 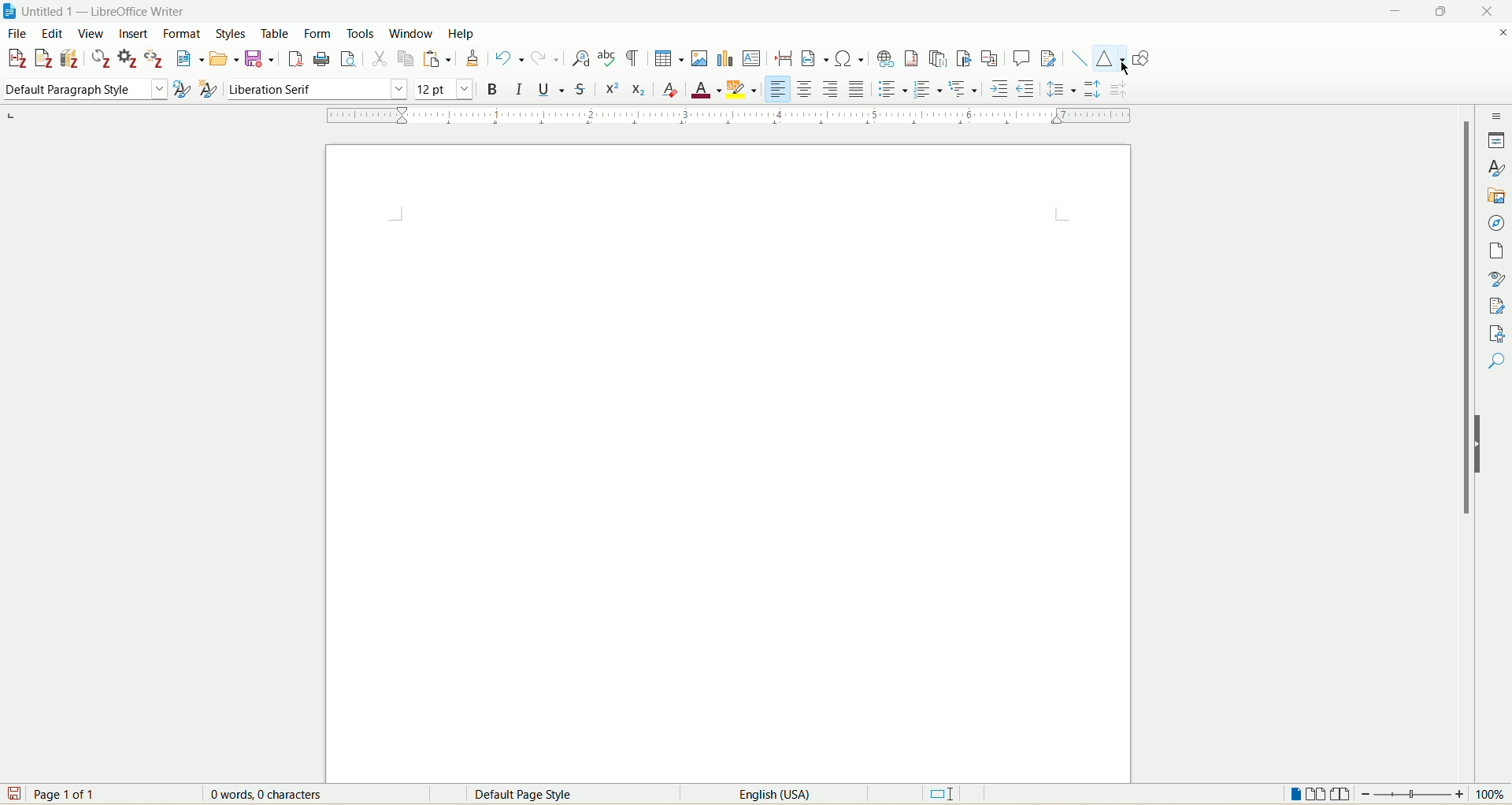 I want to click on export as pdf, so click(x=294, y=60).